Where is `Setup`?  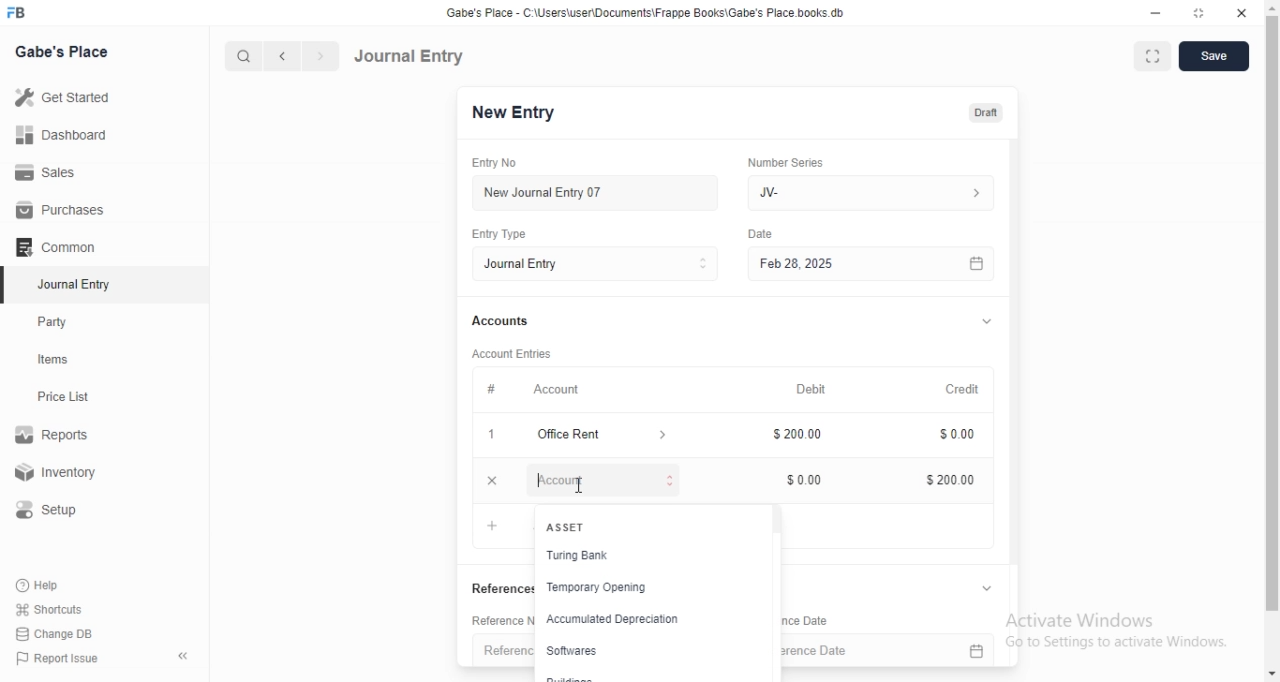 Setup is located at coordinates (54, 510).